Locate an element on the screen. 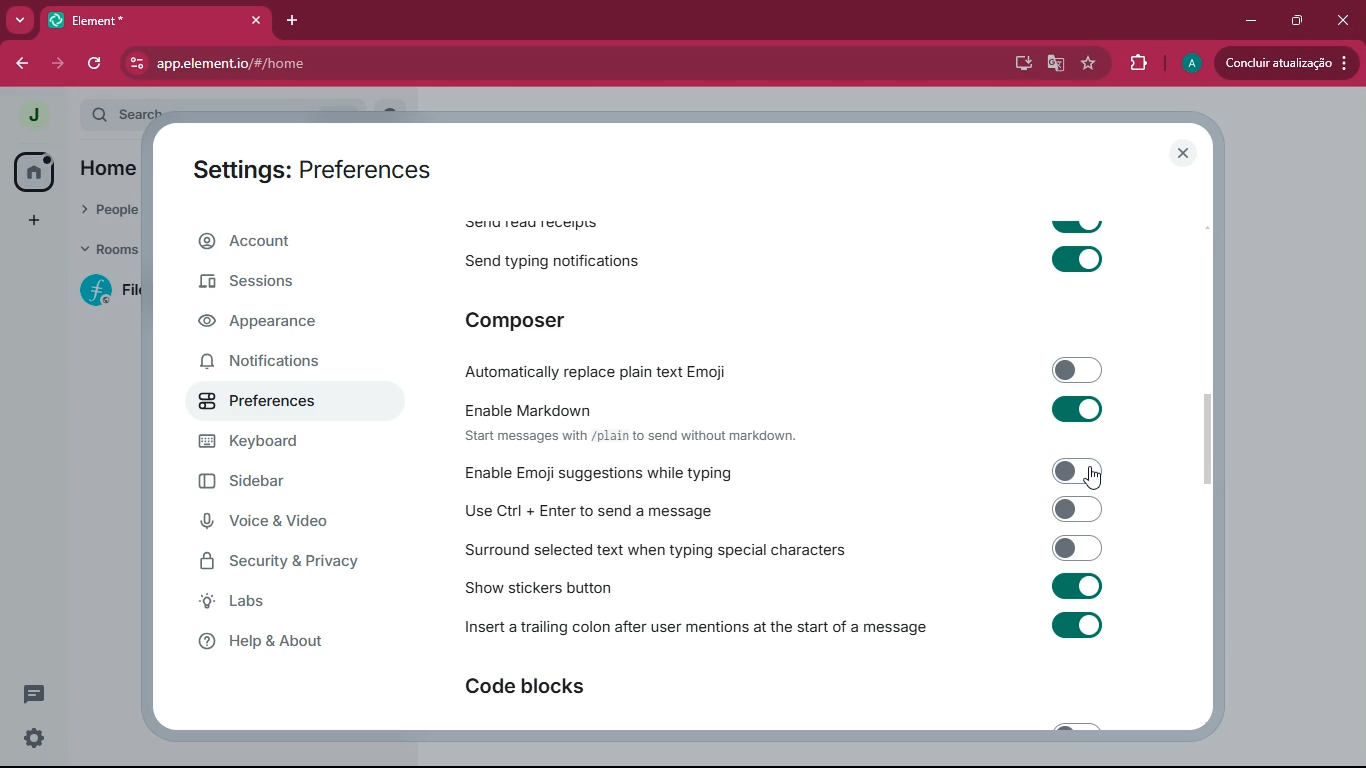 This screenshot has height=768, width=1366. cursor is located at coordinates (1094, 478).